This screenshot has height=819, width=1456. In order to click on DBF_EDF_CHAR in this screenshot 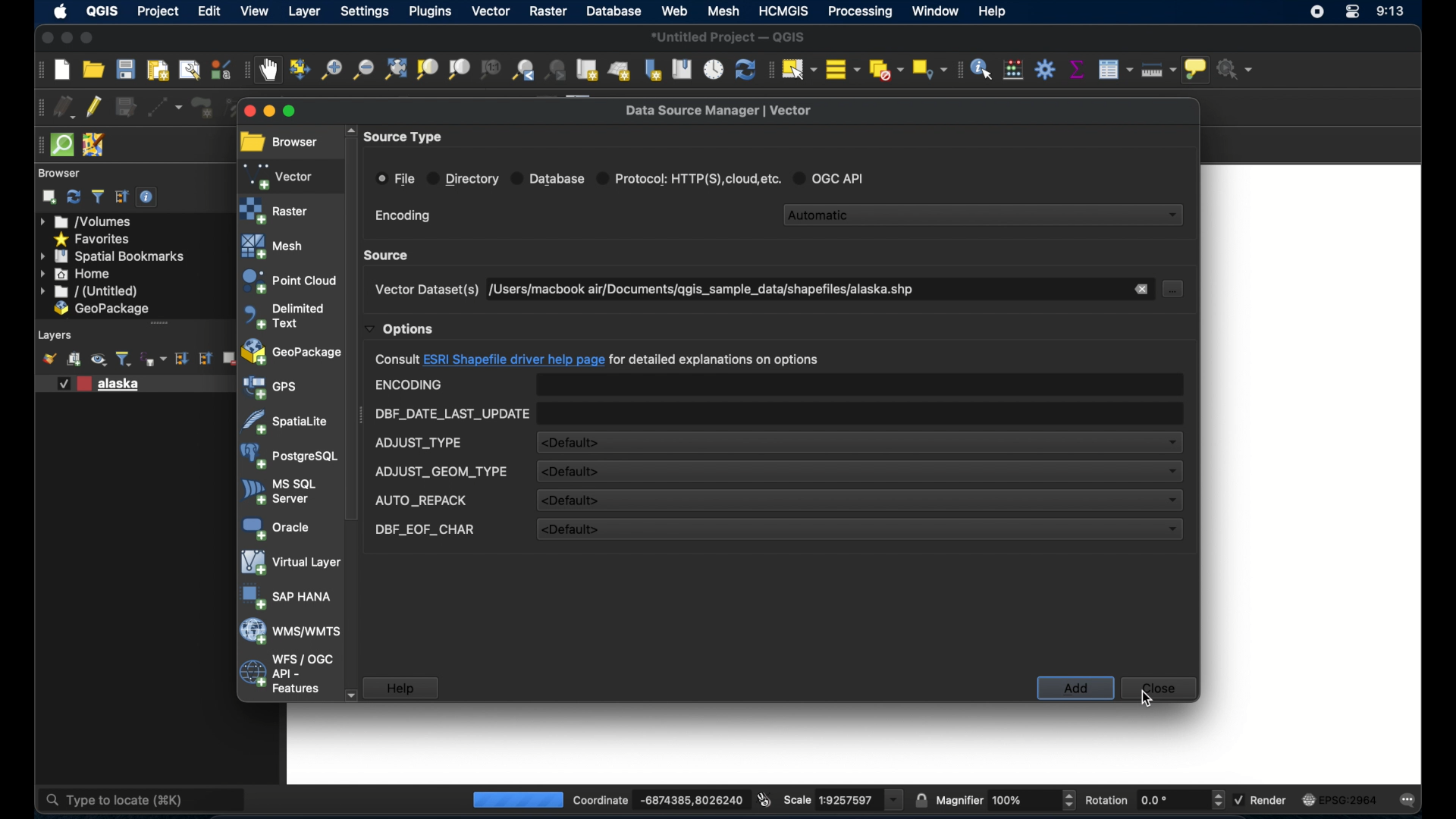, I will do `click(425, 530)`.